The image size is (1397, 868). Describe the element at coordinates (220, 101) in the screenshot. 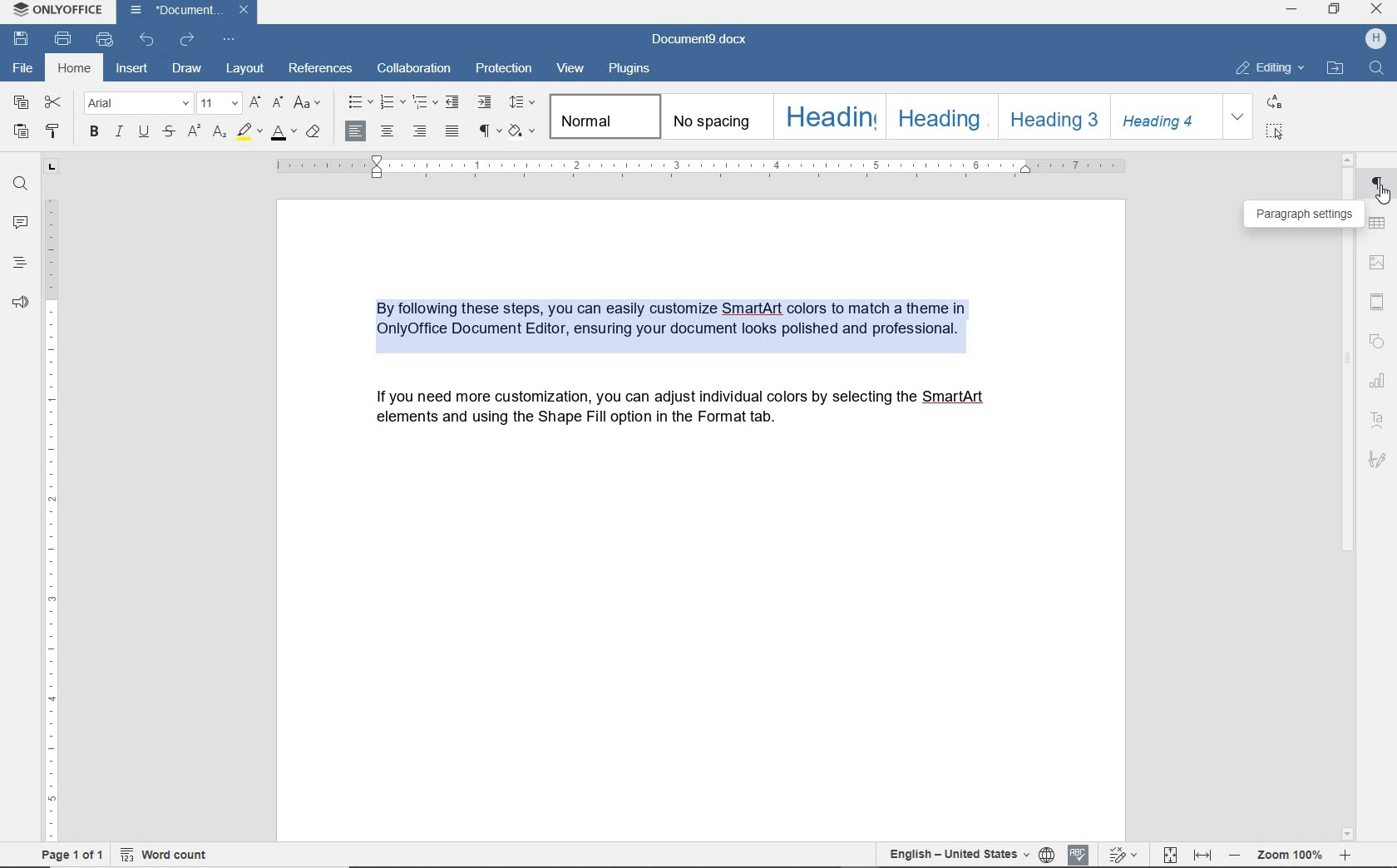

I see `font size` at that location.